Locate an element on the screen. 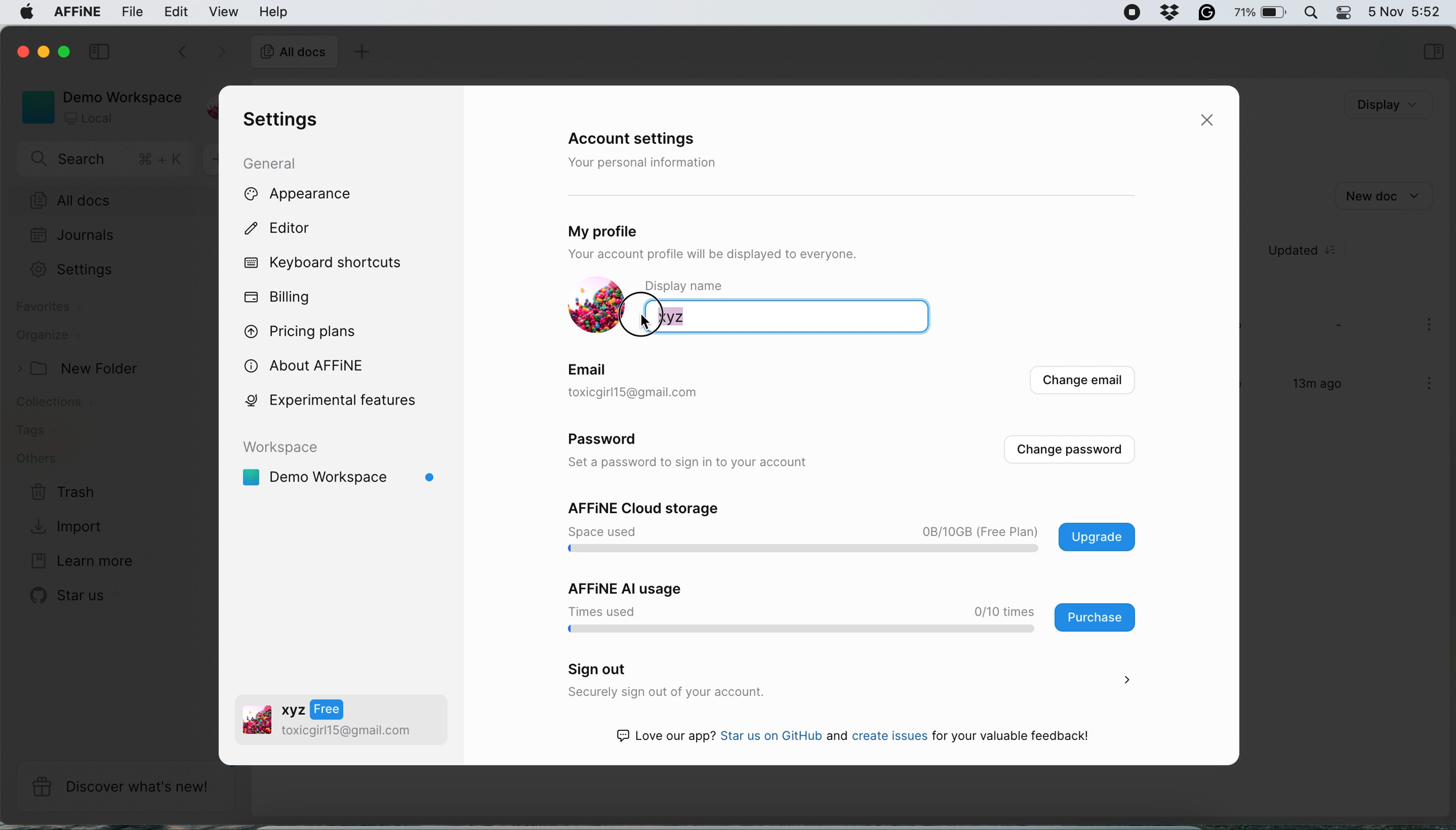 The height and width of the screenshot is (830, 1456). tags is located at coordinates (35, 431).